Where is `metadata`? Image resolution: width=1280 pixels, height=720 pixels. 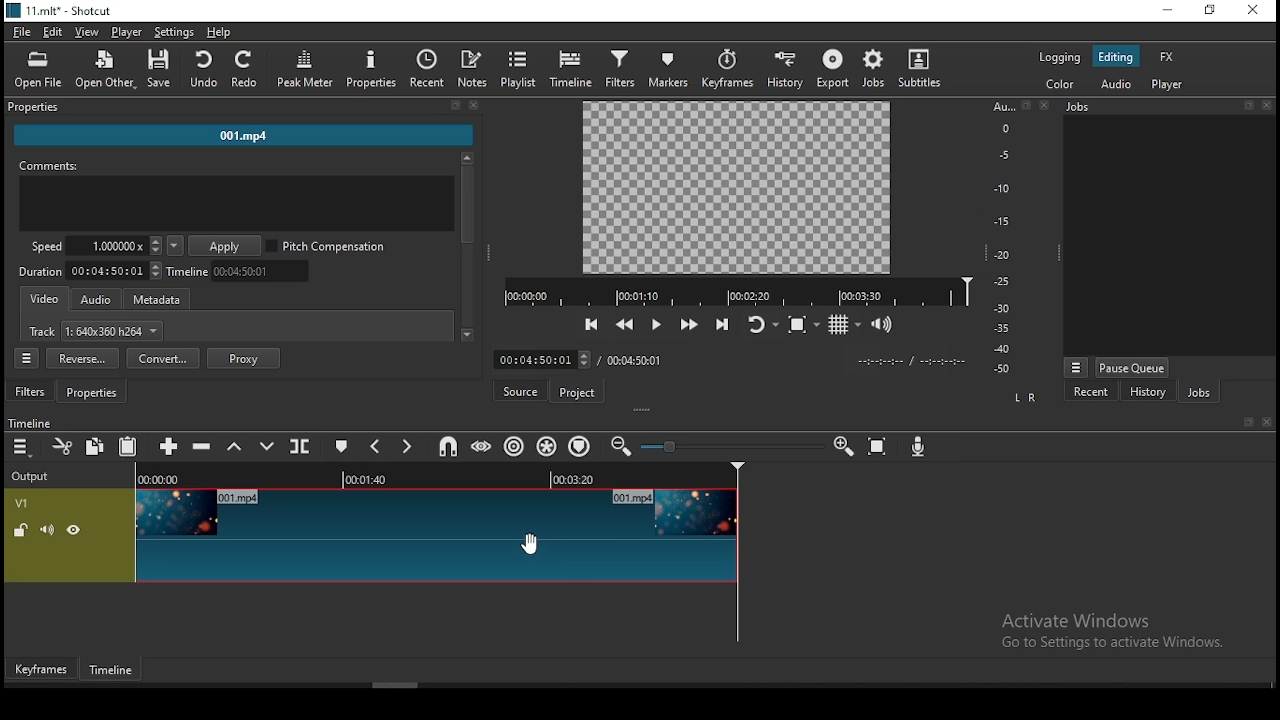 metadata is located at coordinates (159, 298).